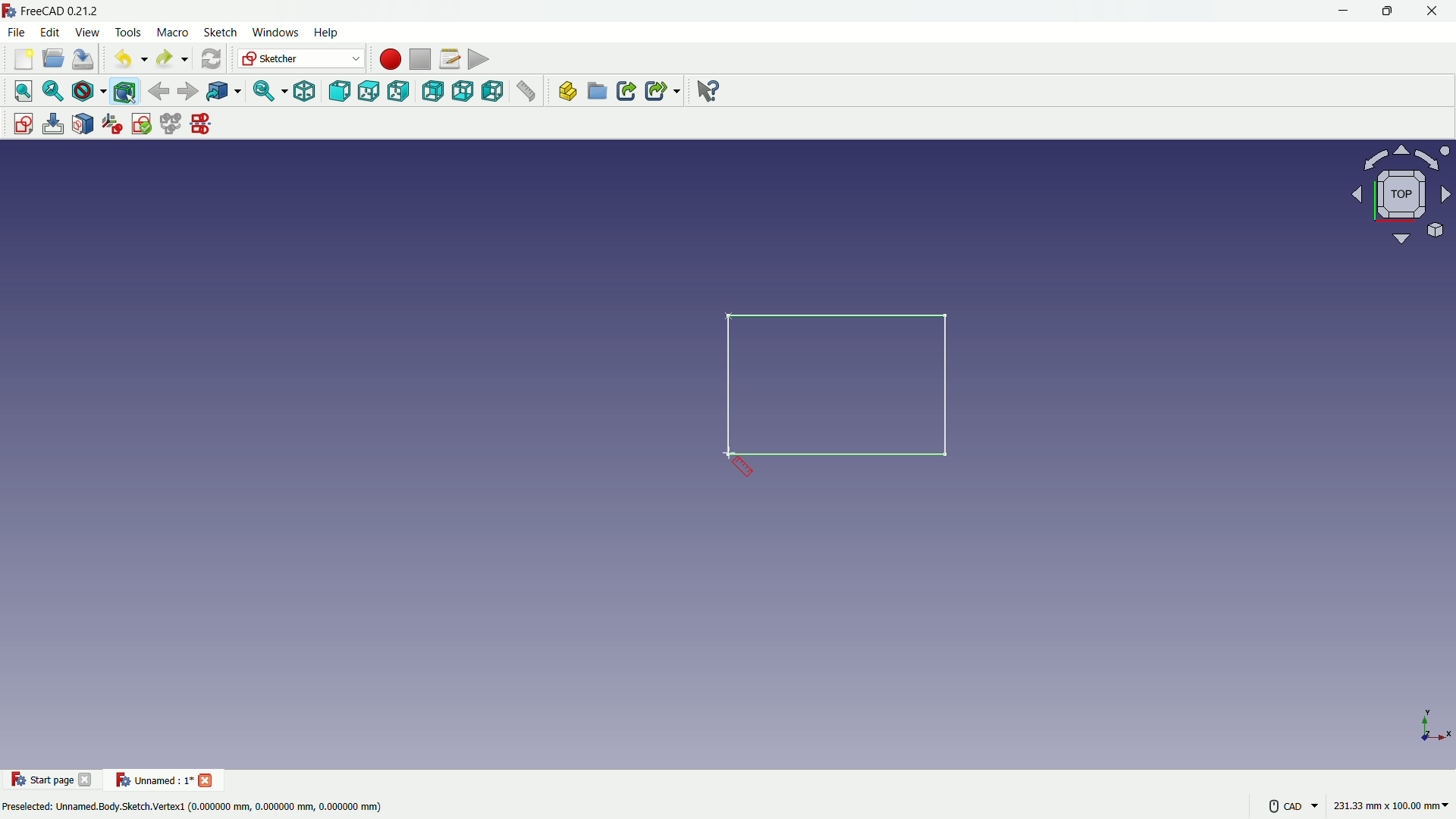  I want to click on macro settings, so click(445, 60).